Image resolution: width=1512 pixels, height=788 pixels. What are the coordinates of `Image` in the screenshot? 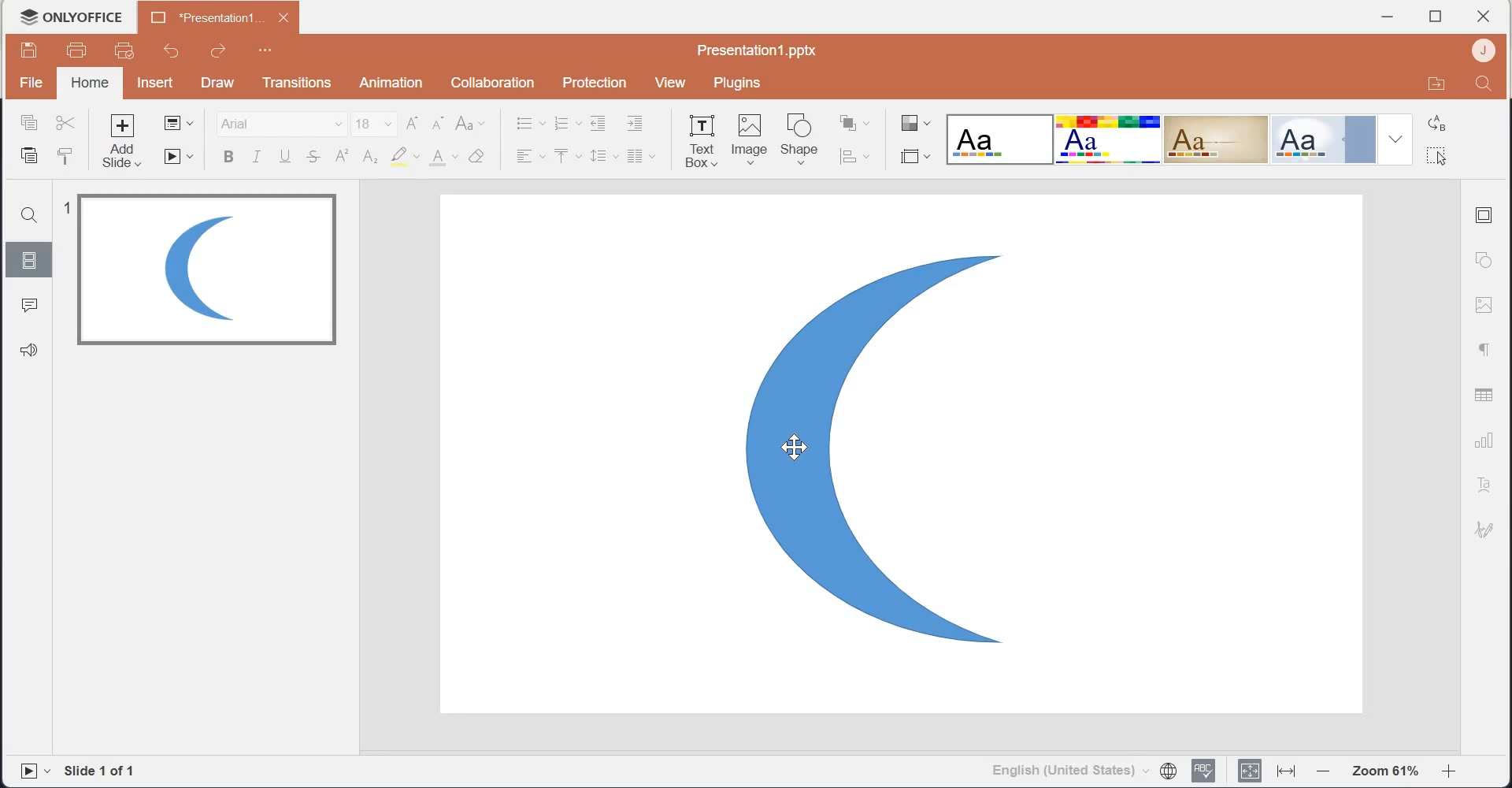 It's located at (750, 138).